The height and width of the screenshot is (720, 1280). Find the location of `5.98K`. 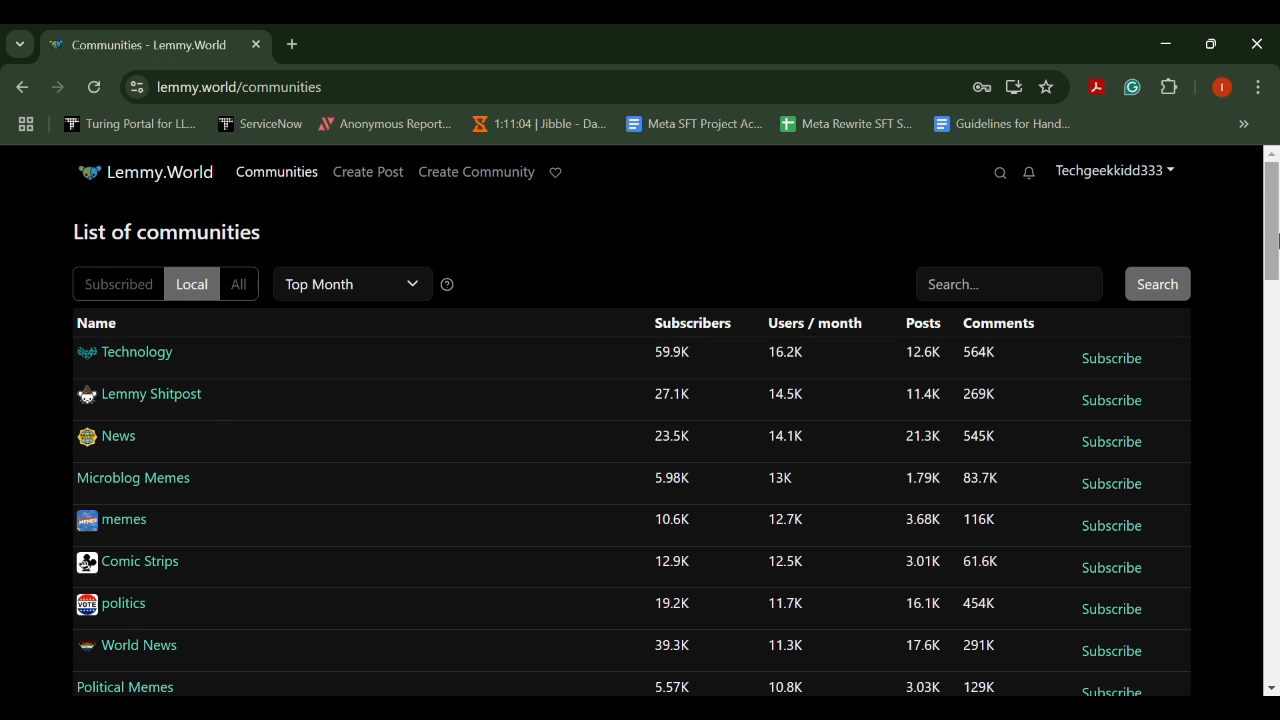

5.98K is located at coordinates (674, 480).